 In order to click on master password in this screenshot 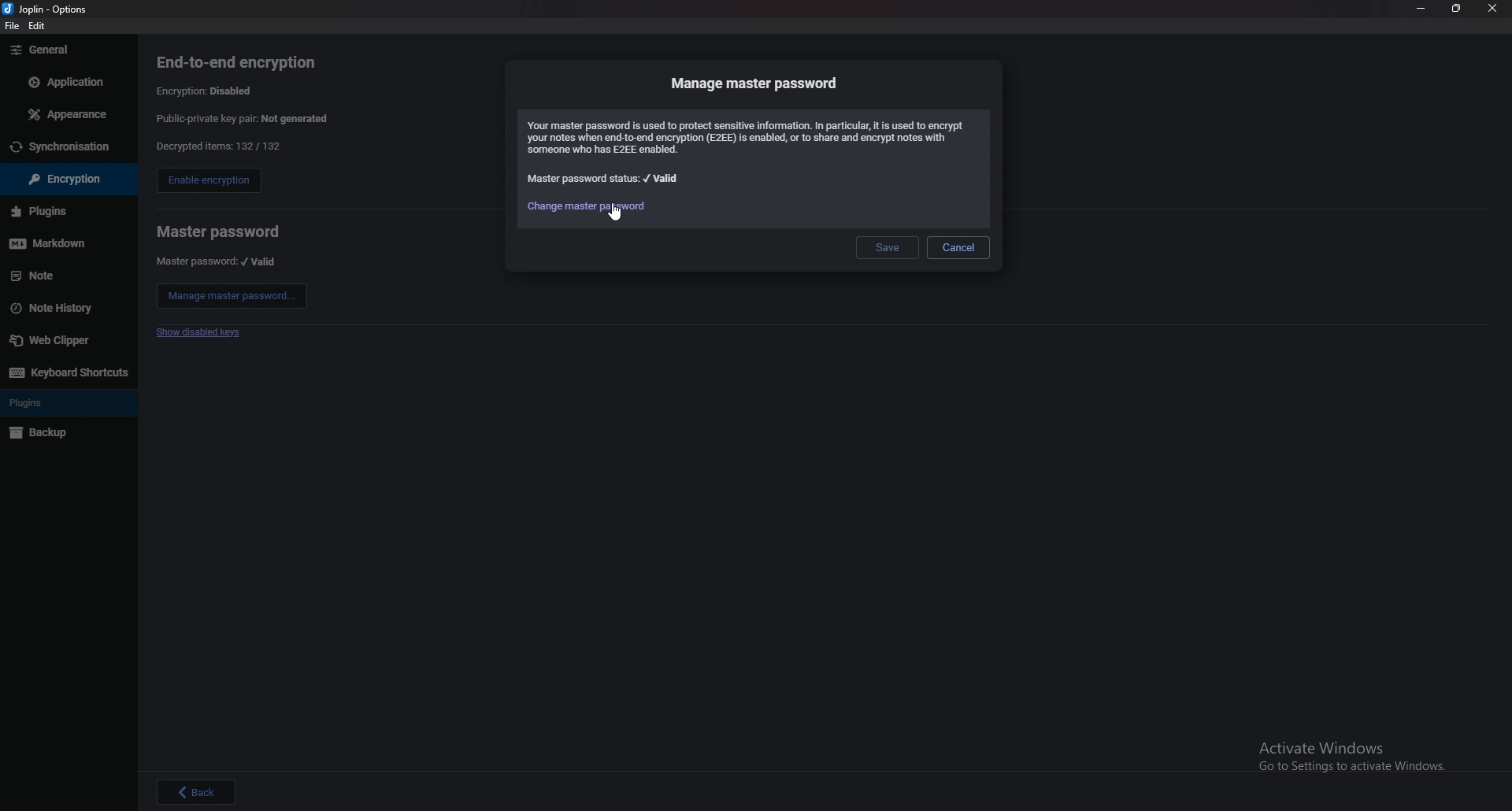, I will do `click(218, 231)`.